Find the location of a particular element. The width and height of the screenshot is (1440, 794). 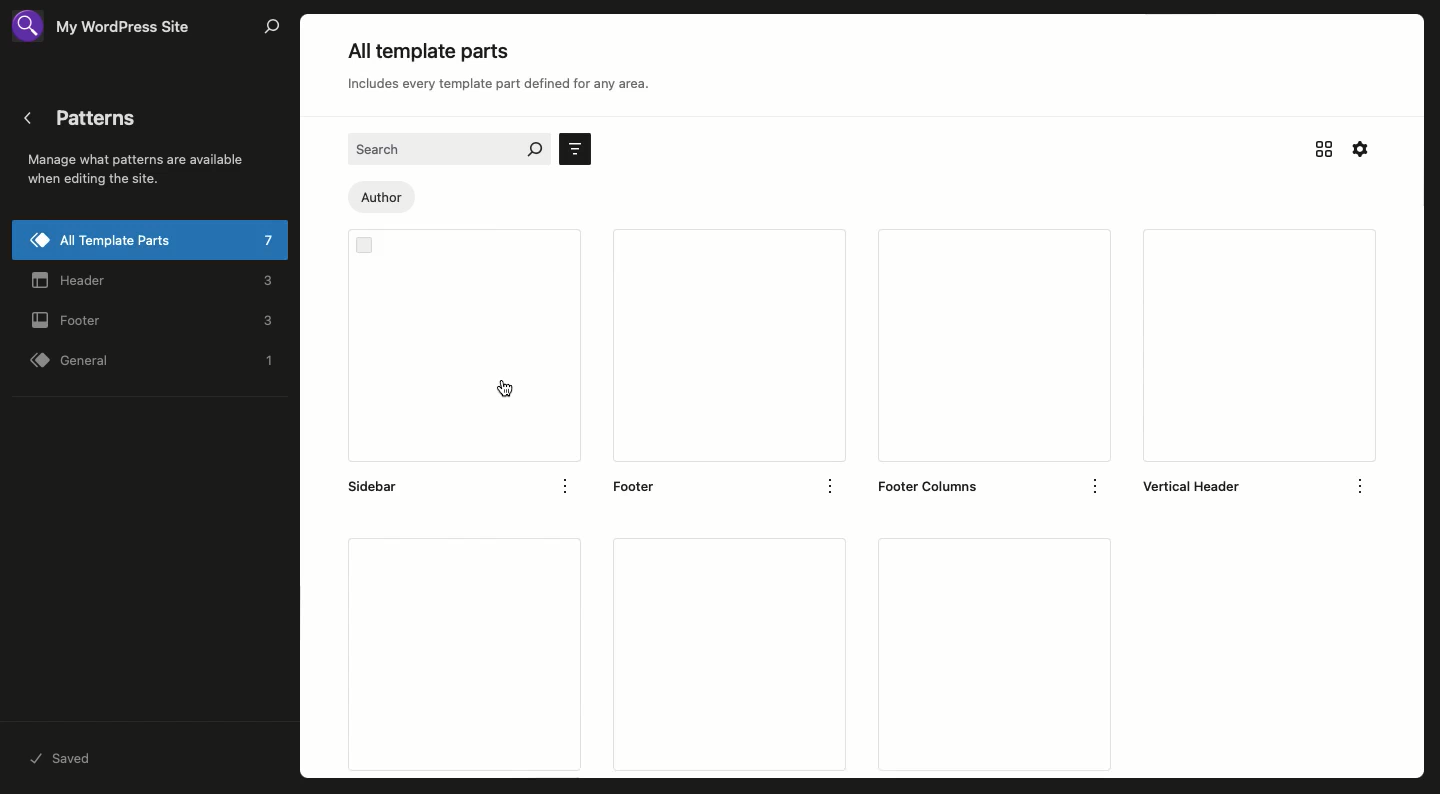

Sort is located at coordinates (576, 149).